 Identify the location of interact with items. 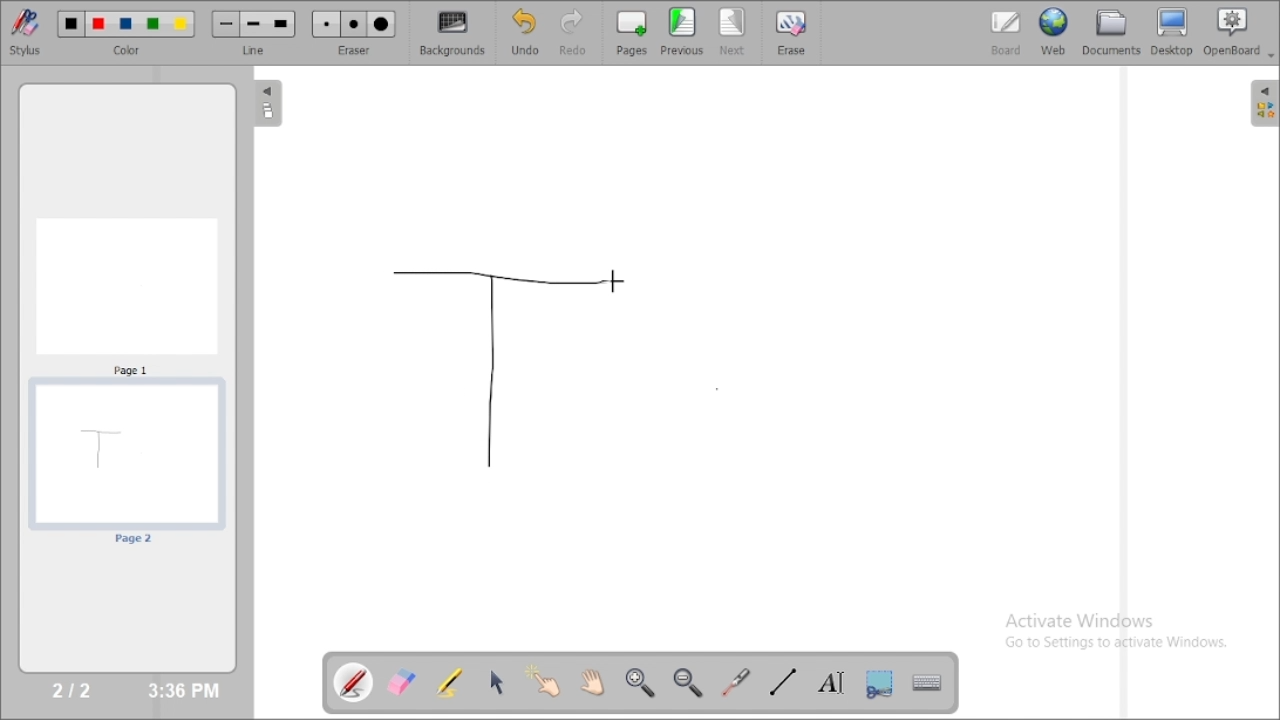
(545, 681).